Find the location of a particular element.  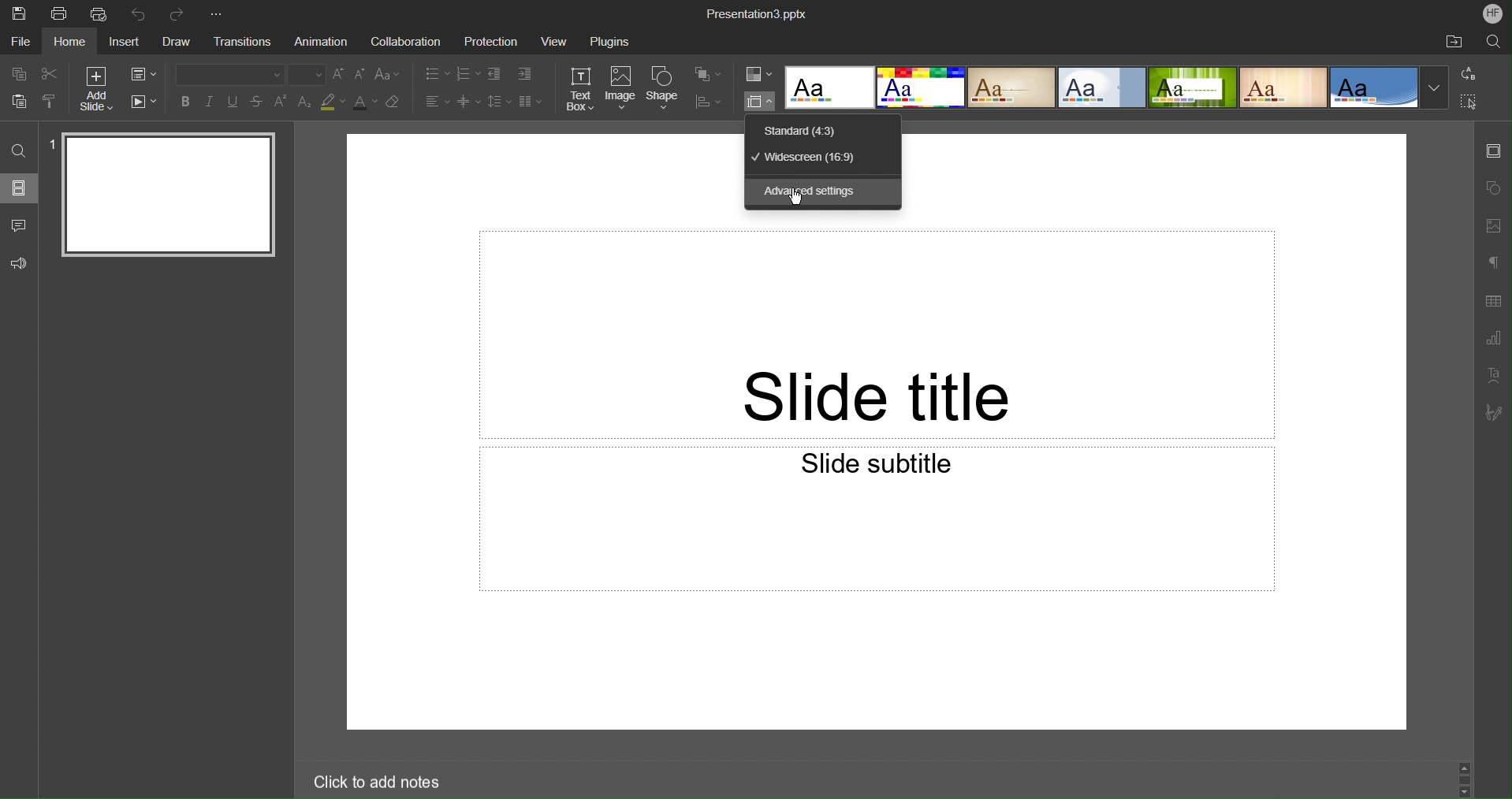

Slide title is located at coordinates (877, 334).